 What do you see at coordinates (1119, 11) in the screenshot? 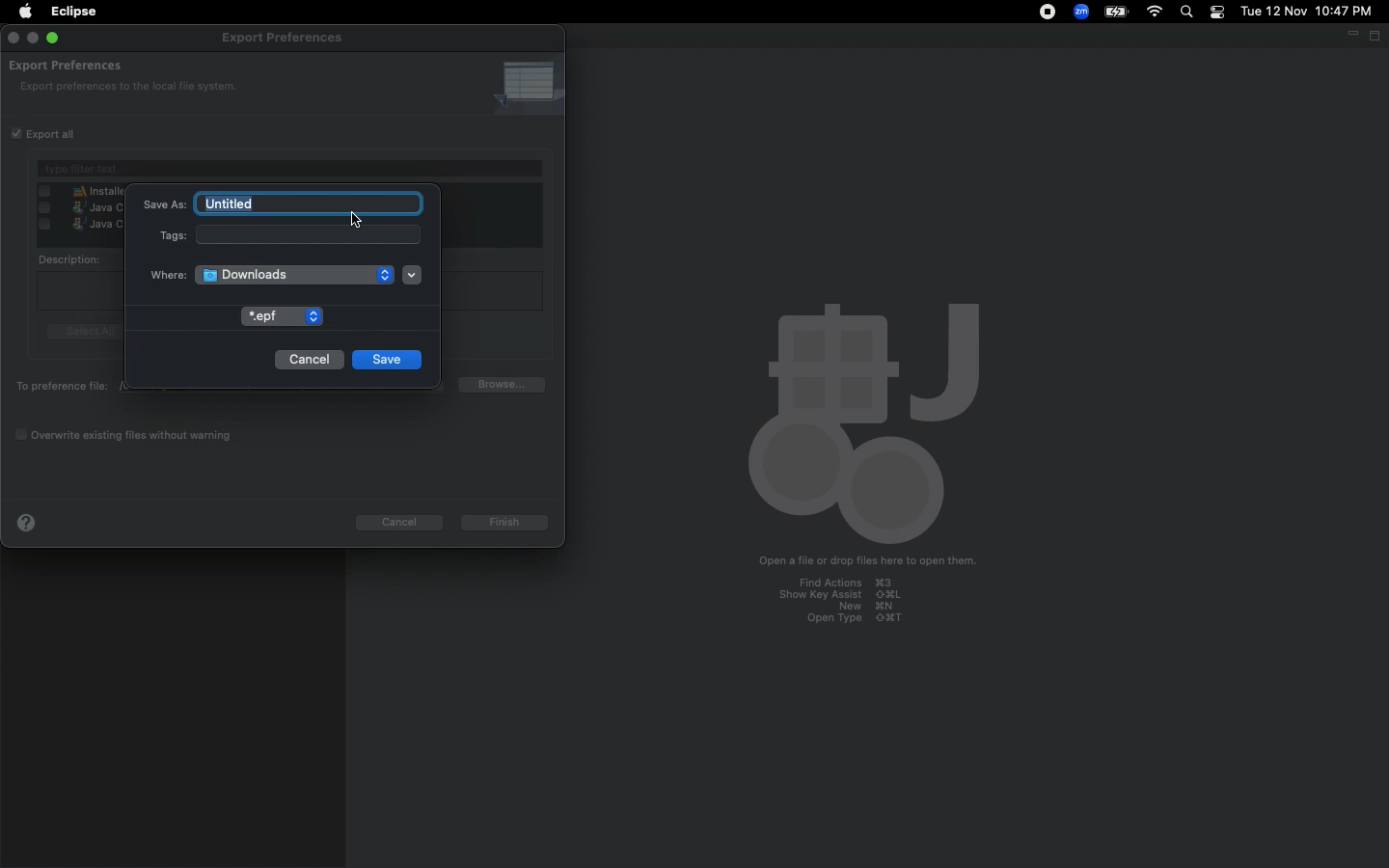
I see `Charge` at bounding box center [1119, 11].